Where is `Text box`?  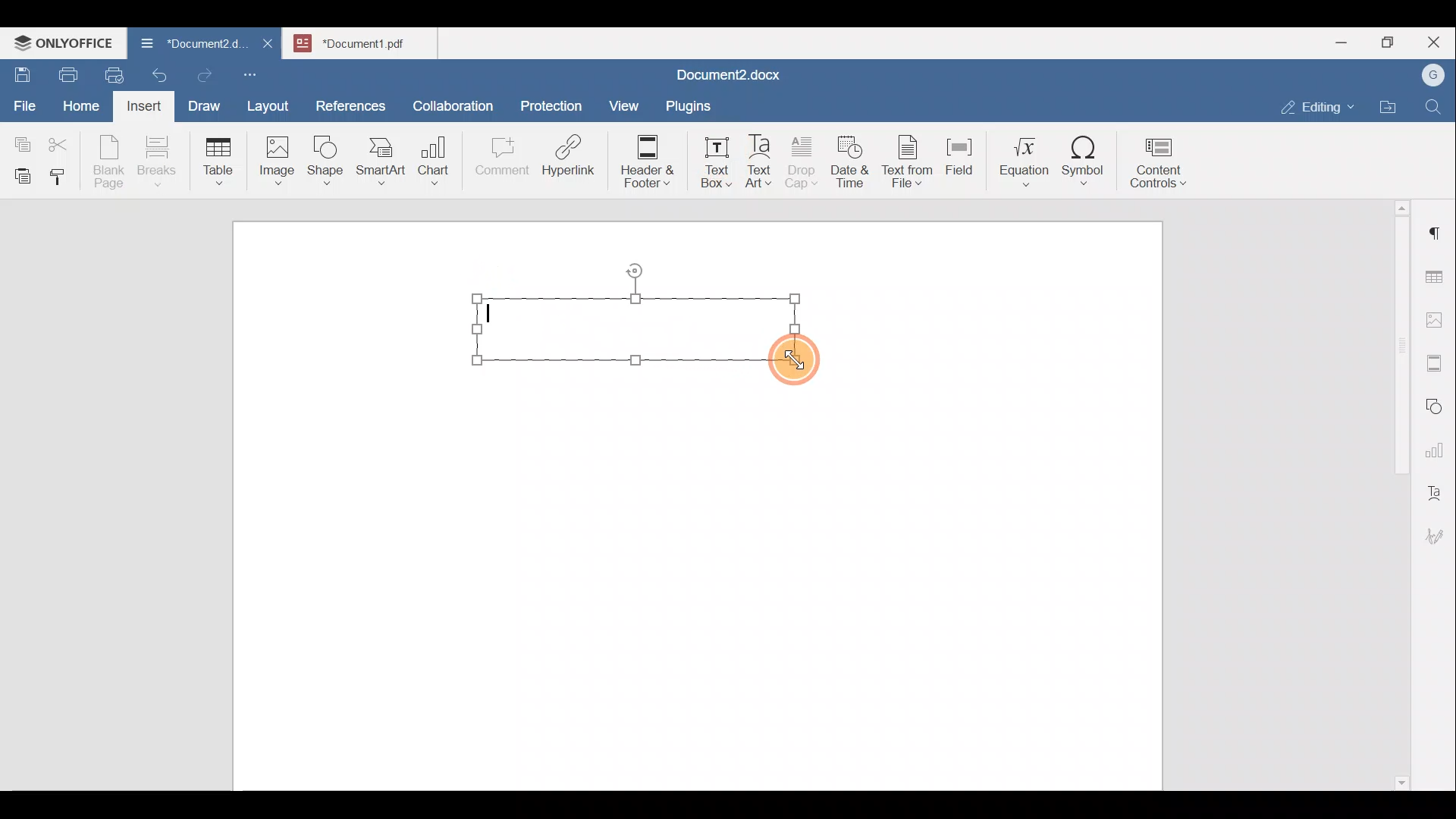
Text box is located at coordinates (706, 162).